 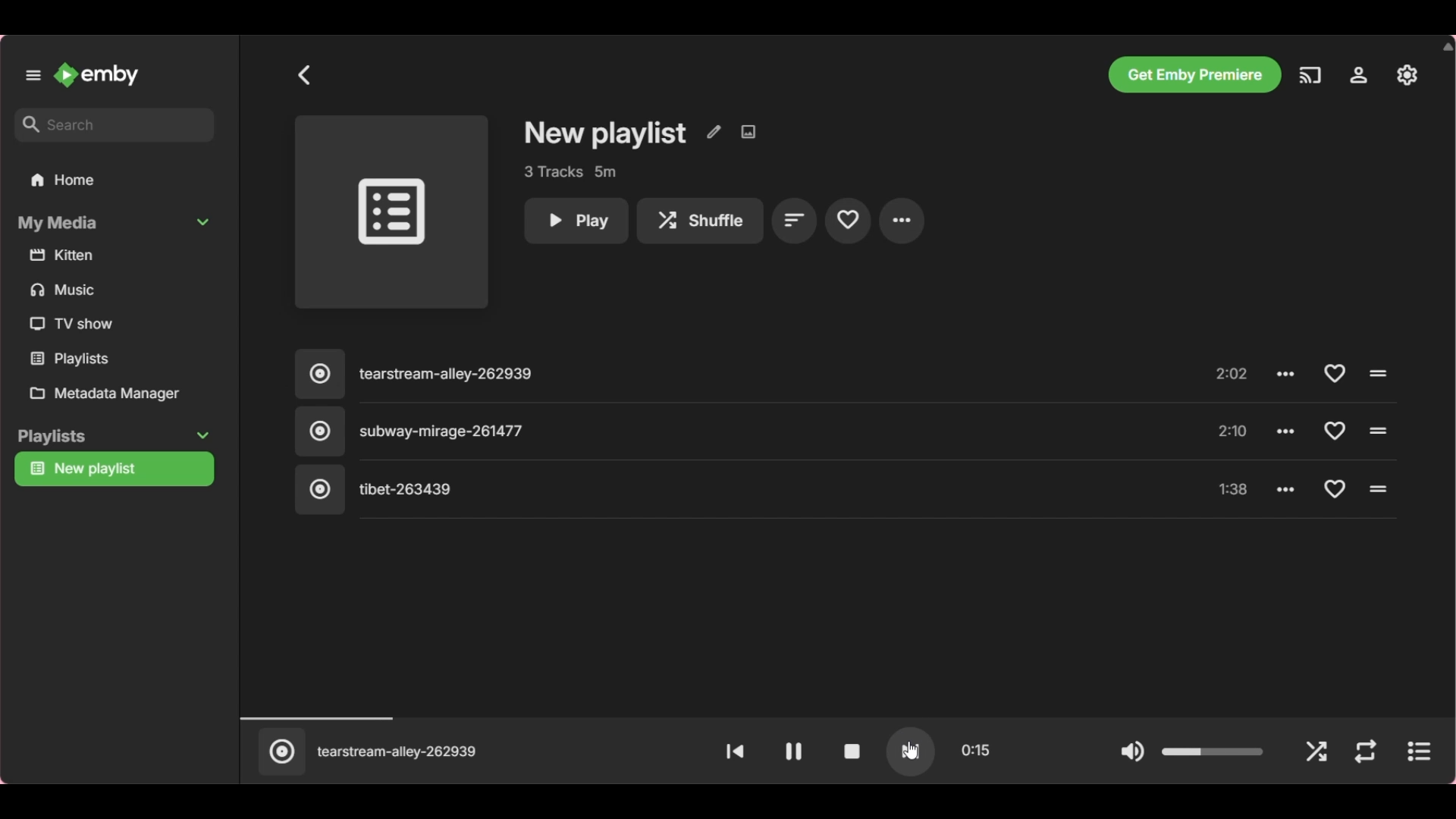 I want to click on music, so click(x=66, y=291).